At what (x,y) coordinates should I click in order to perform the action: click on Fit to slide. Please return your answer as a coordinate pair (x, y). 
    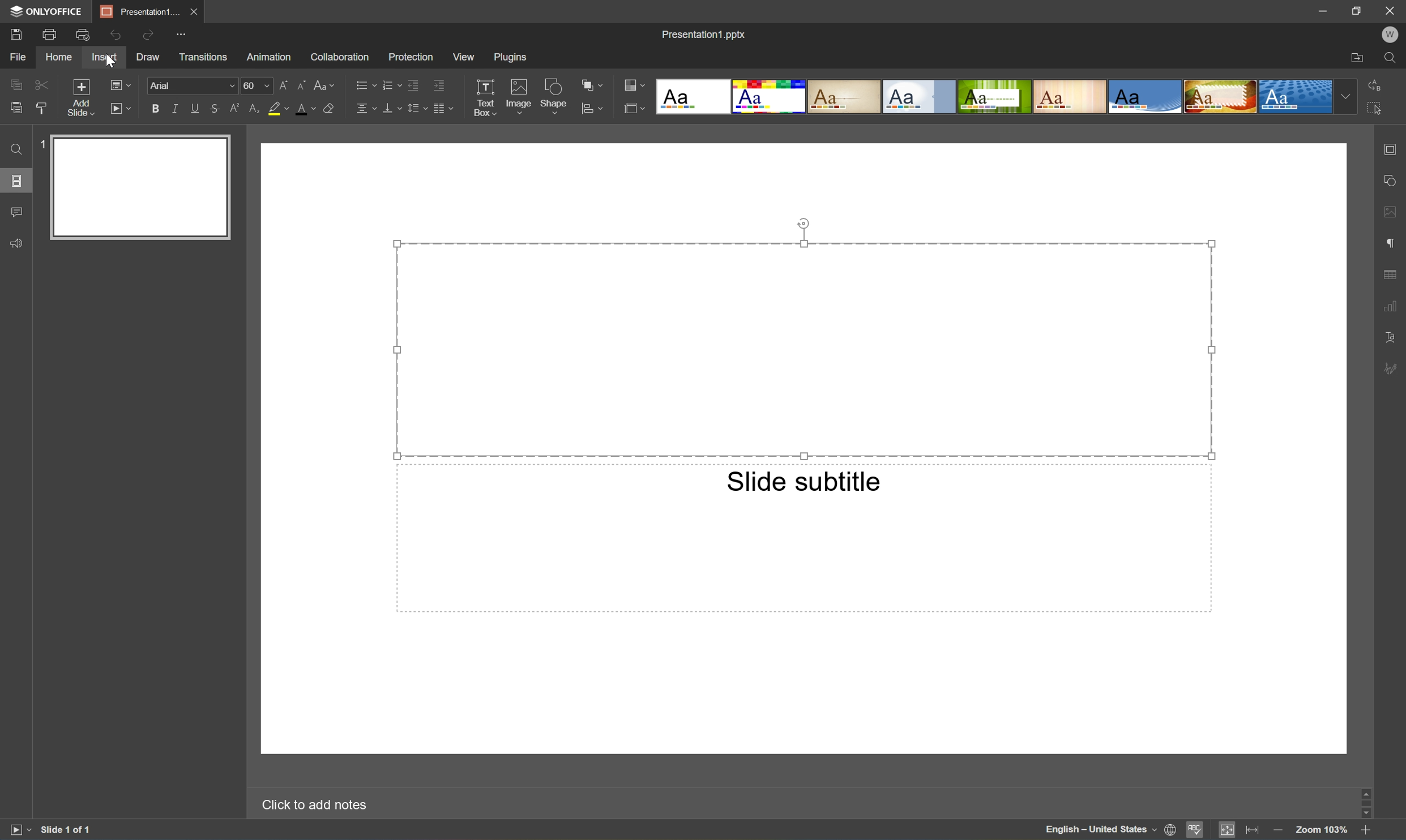
    Looking at the image, I should click on (1226, 830).